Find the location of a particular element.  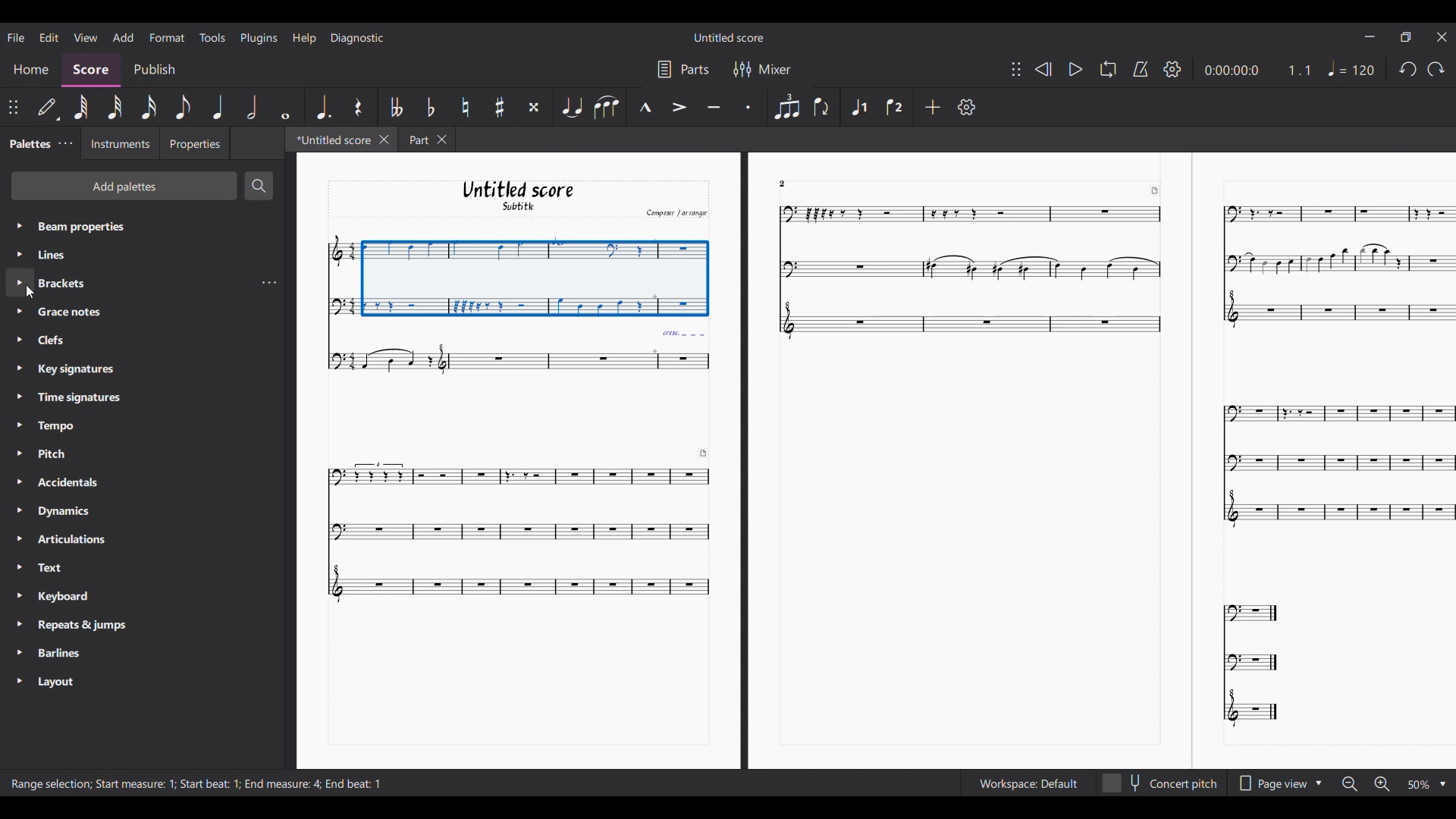

16th note is located at coordinates (149, 108).